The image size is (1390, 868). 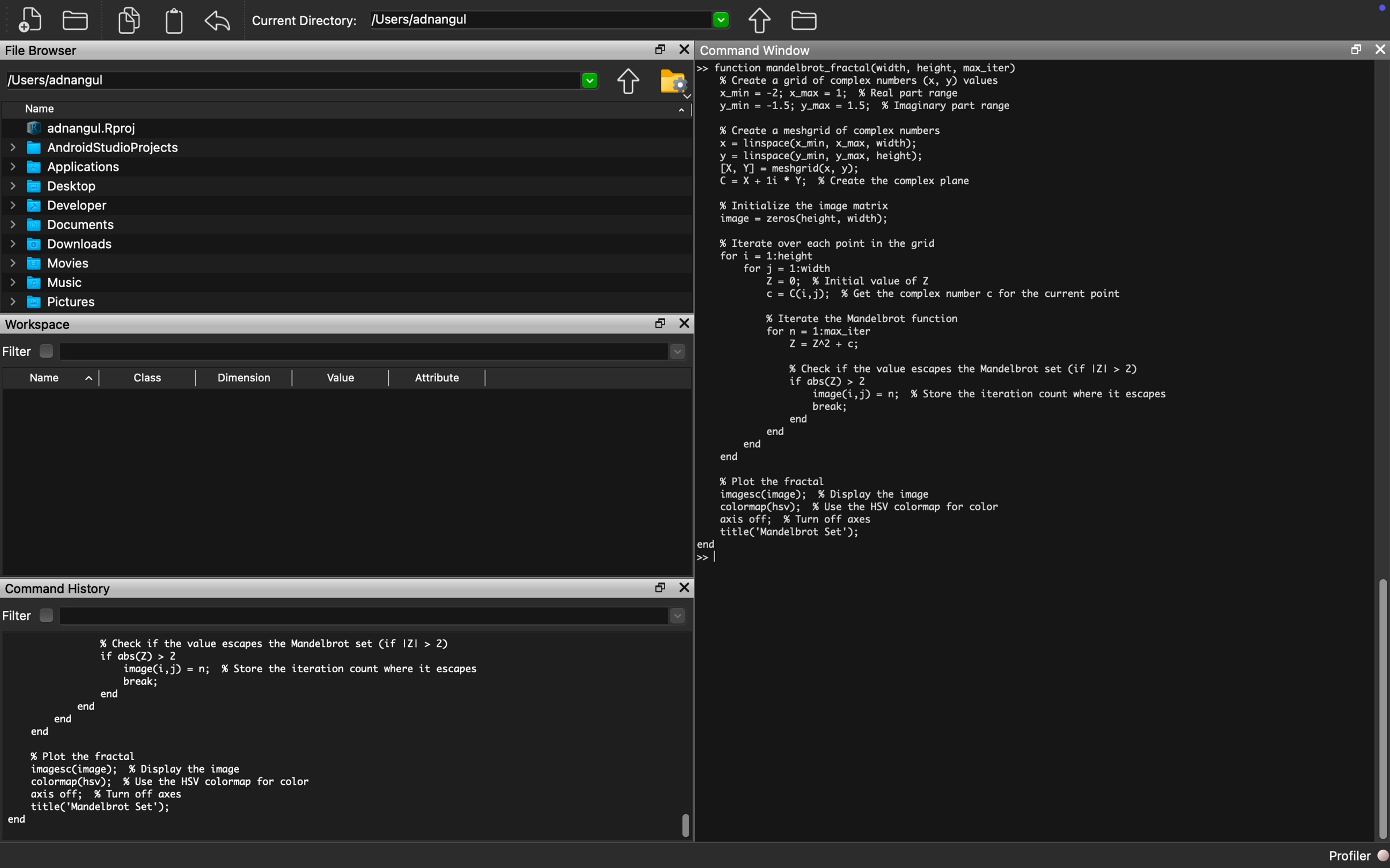 I want to click on Open Folder, so click(x=78, y=18).